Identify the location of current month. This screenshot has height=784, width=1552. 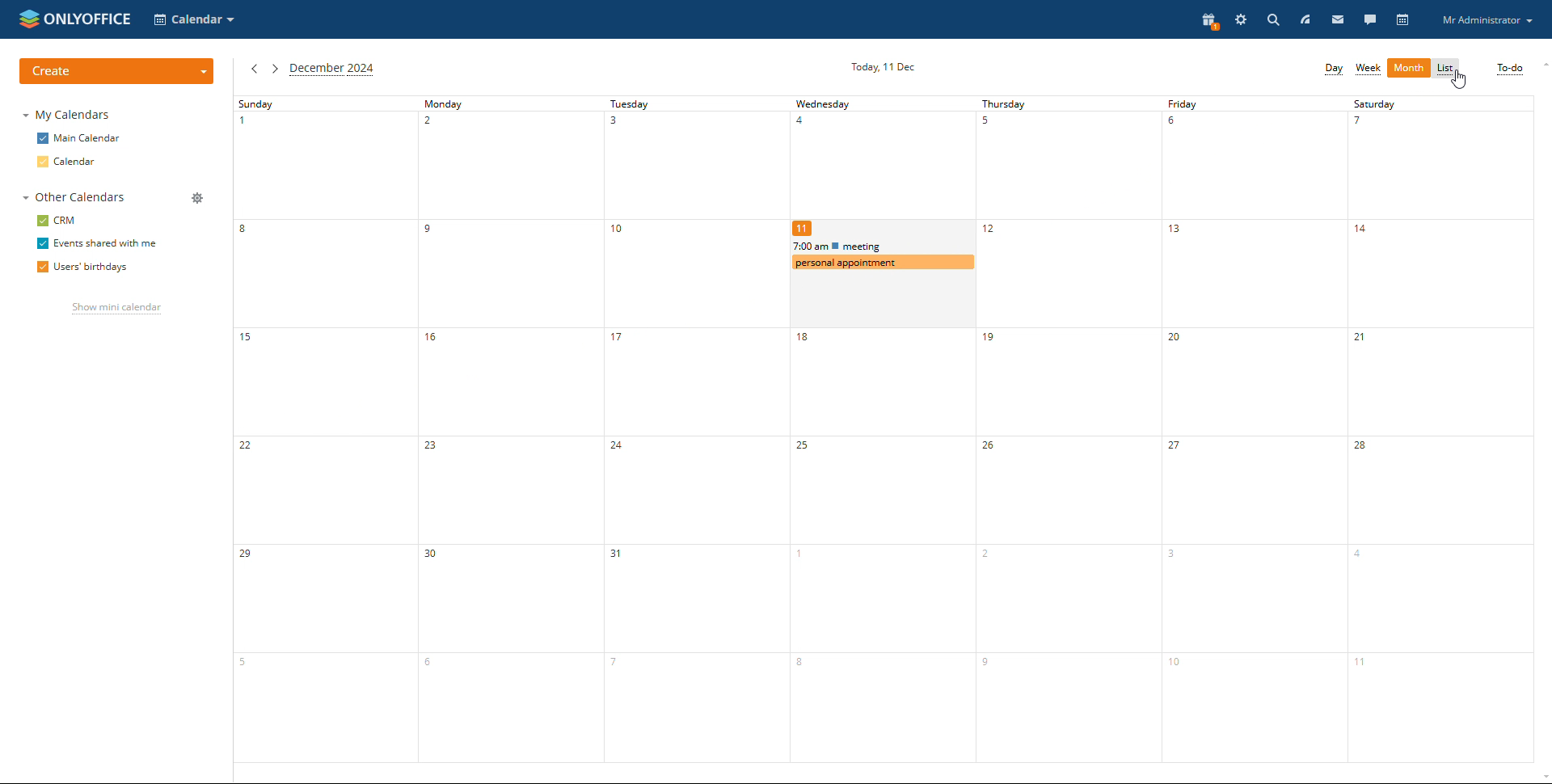
(333, 70).